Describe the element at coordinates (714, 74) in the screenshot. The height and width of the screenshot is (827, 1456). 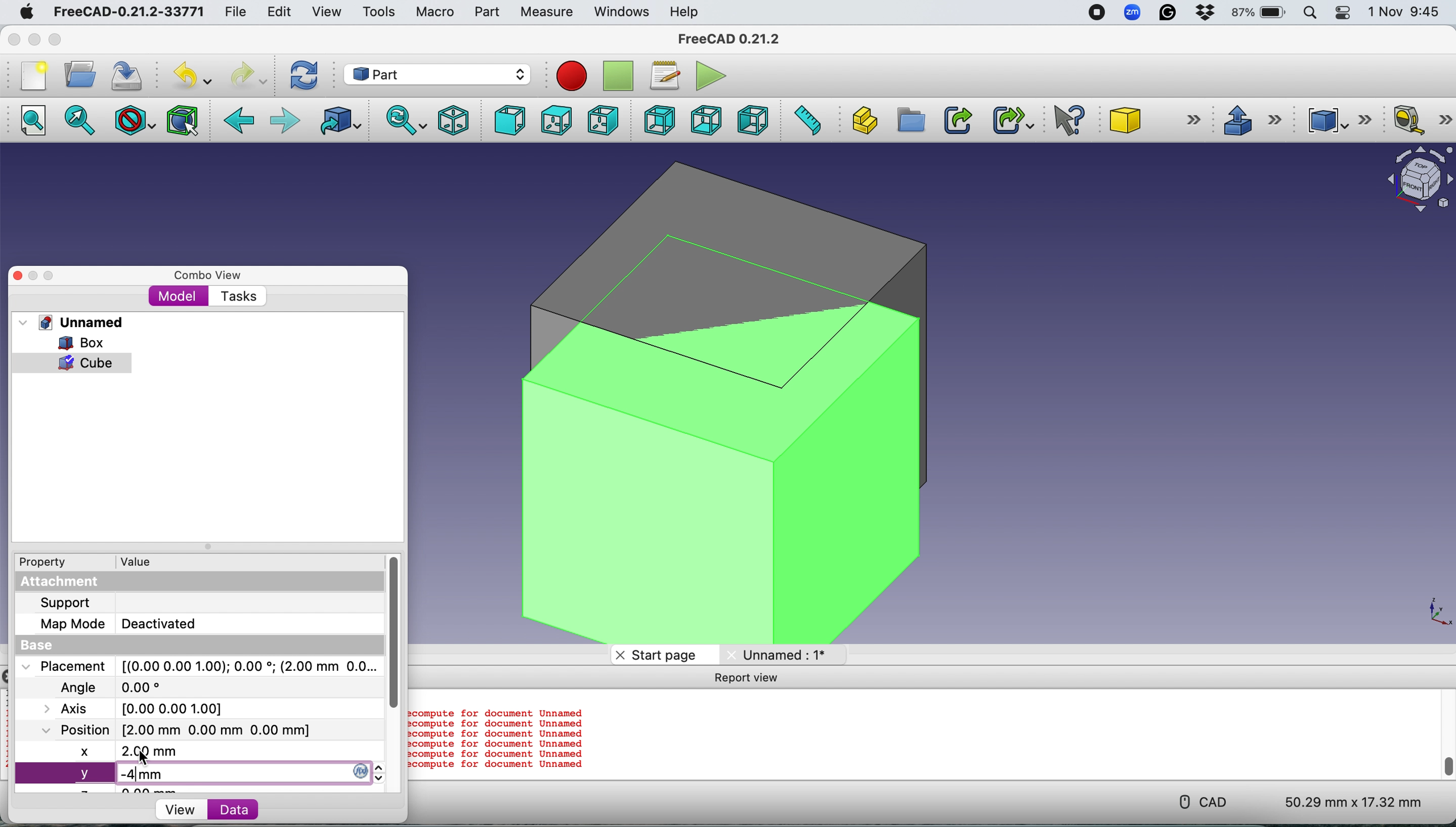
I see `Execute macros` at that location.